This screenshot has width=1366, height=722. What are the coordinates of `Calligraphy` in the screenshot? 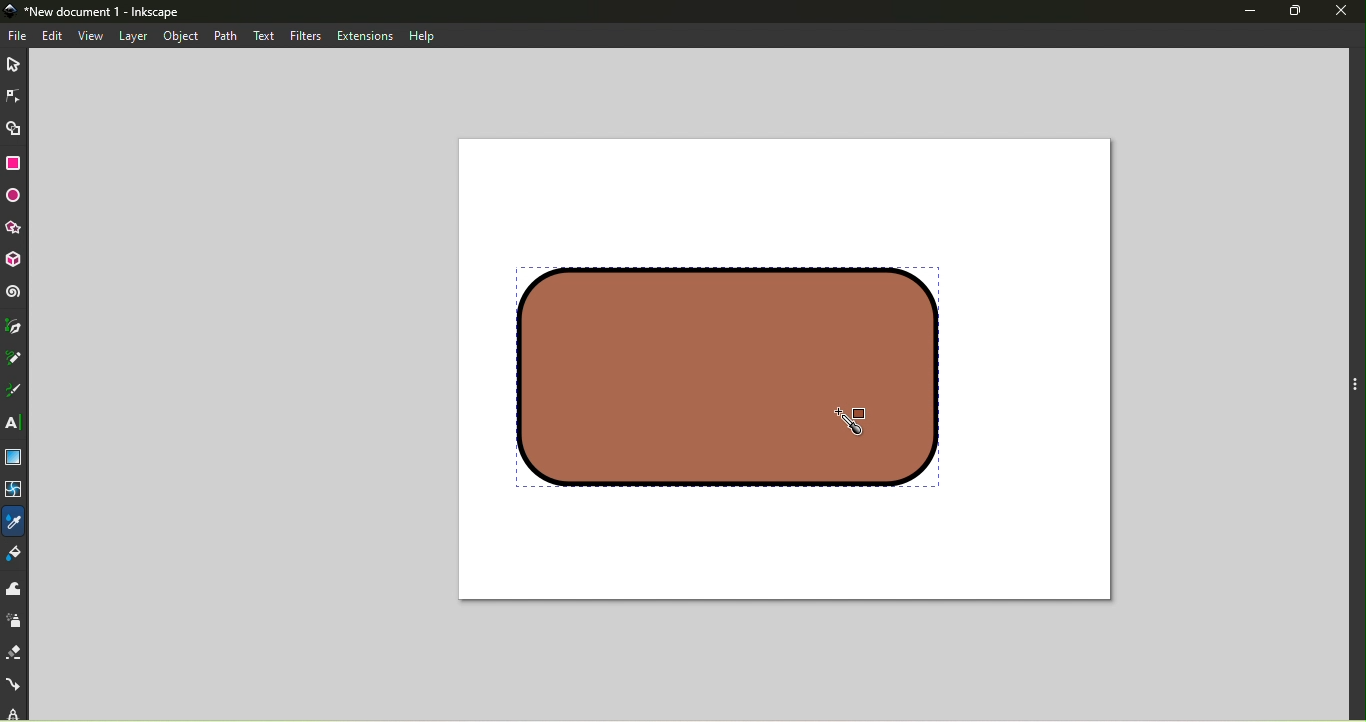 It's located at (18, 389).